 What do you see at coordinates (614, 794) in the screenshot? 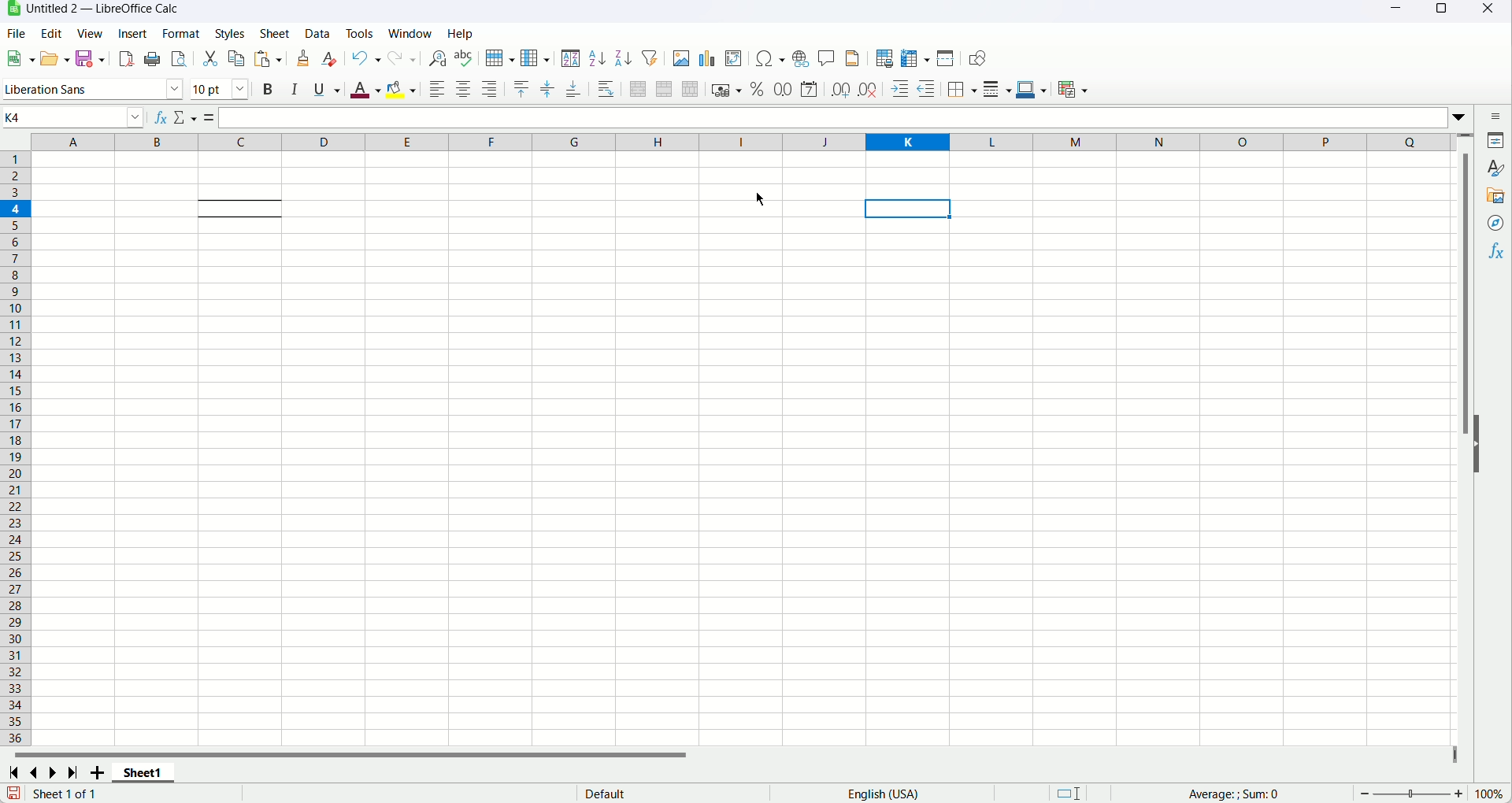
I see `text` at bounding box center [614, 794].